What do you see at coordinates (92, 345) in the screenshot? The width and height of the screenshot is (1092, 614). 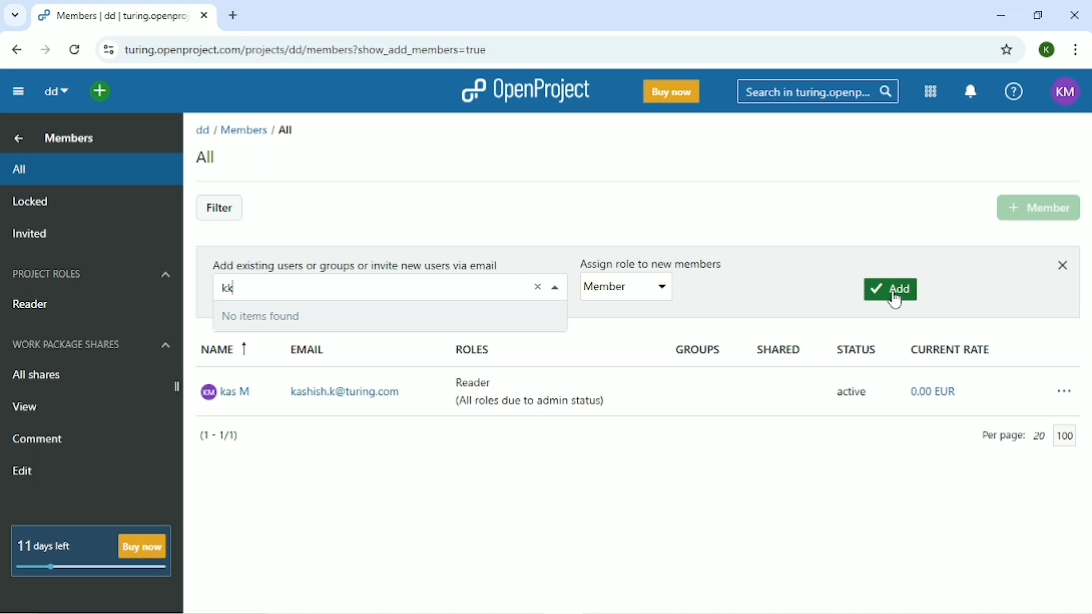 I see `Work package shares` at bounding box center [92, 345].